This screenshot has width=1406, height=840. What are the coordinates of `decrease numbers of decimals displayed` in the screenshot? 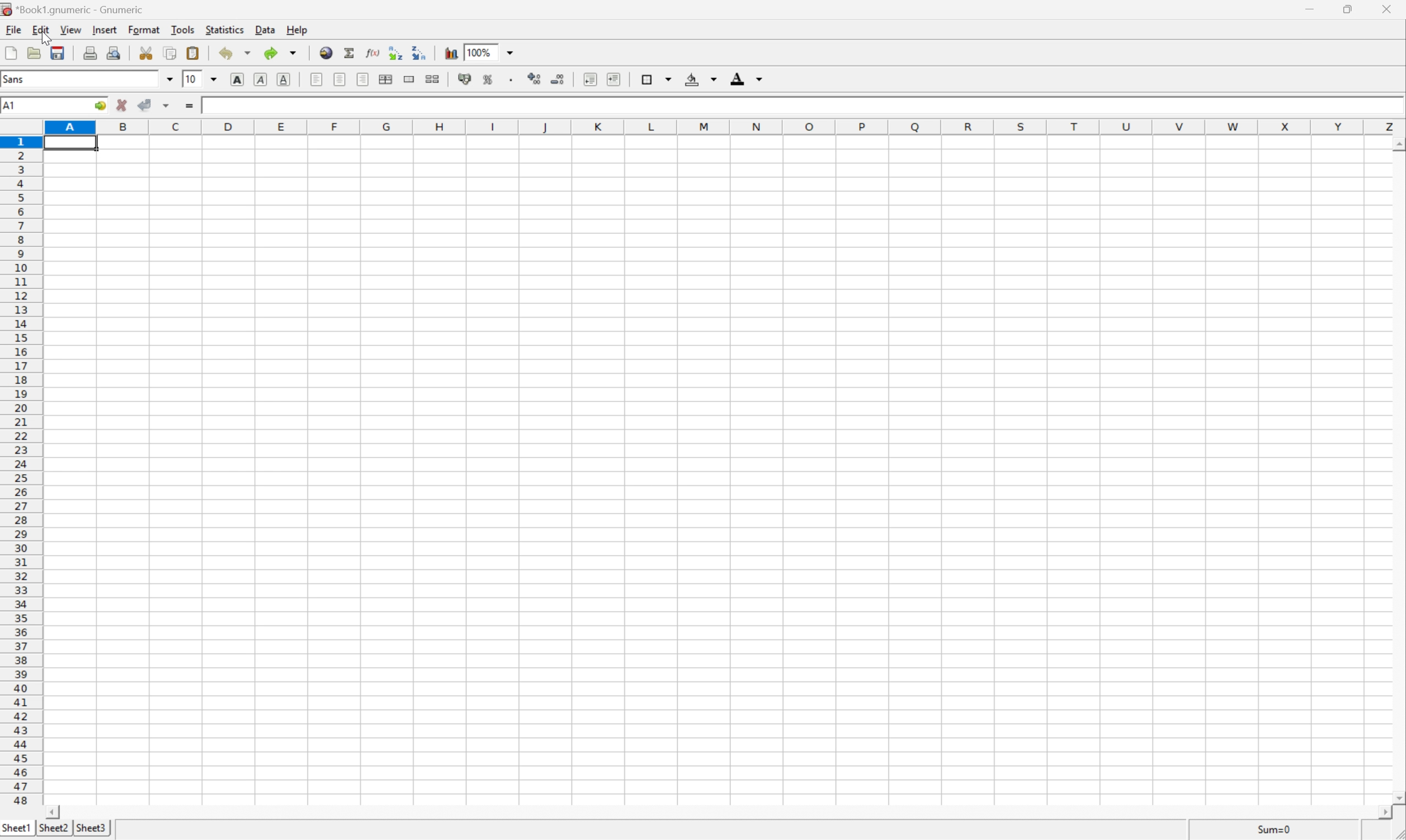 It's located at (561, 78).